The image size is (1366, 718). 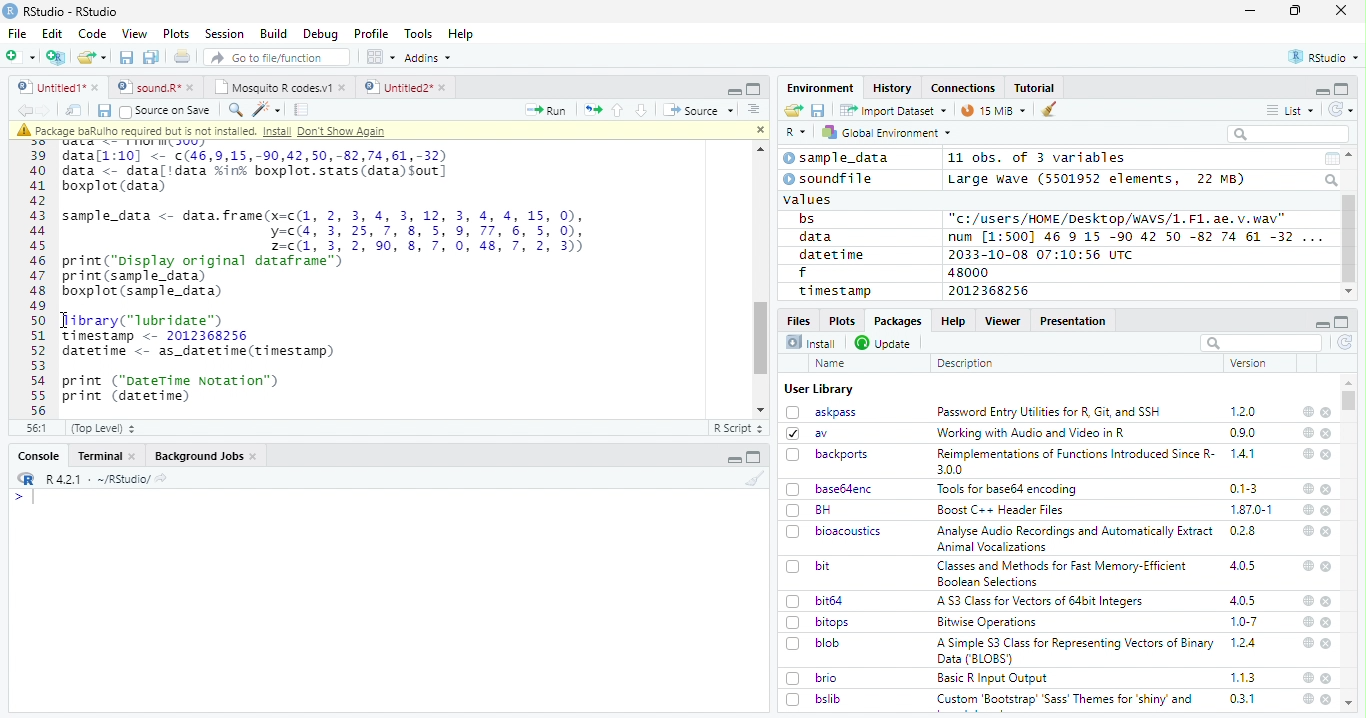 I want to click on soundfile, so click(x=829, y=179).